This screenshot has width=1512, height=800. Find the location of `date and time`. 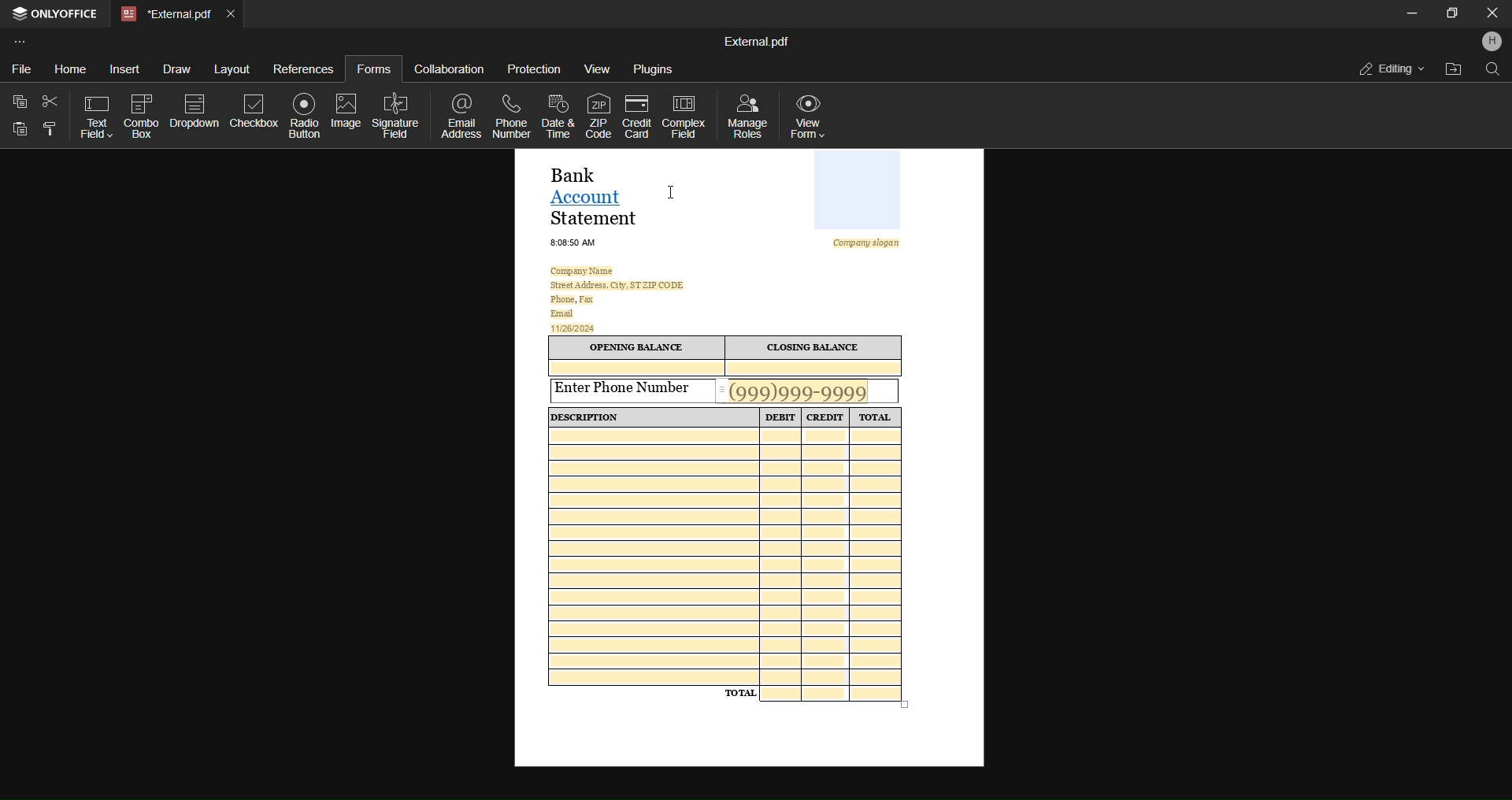

date and time is located at coordinates (558, 115).